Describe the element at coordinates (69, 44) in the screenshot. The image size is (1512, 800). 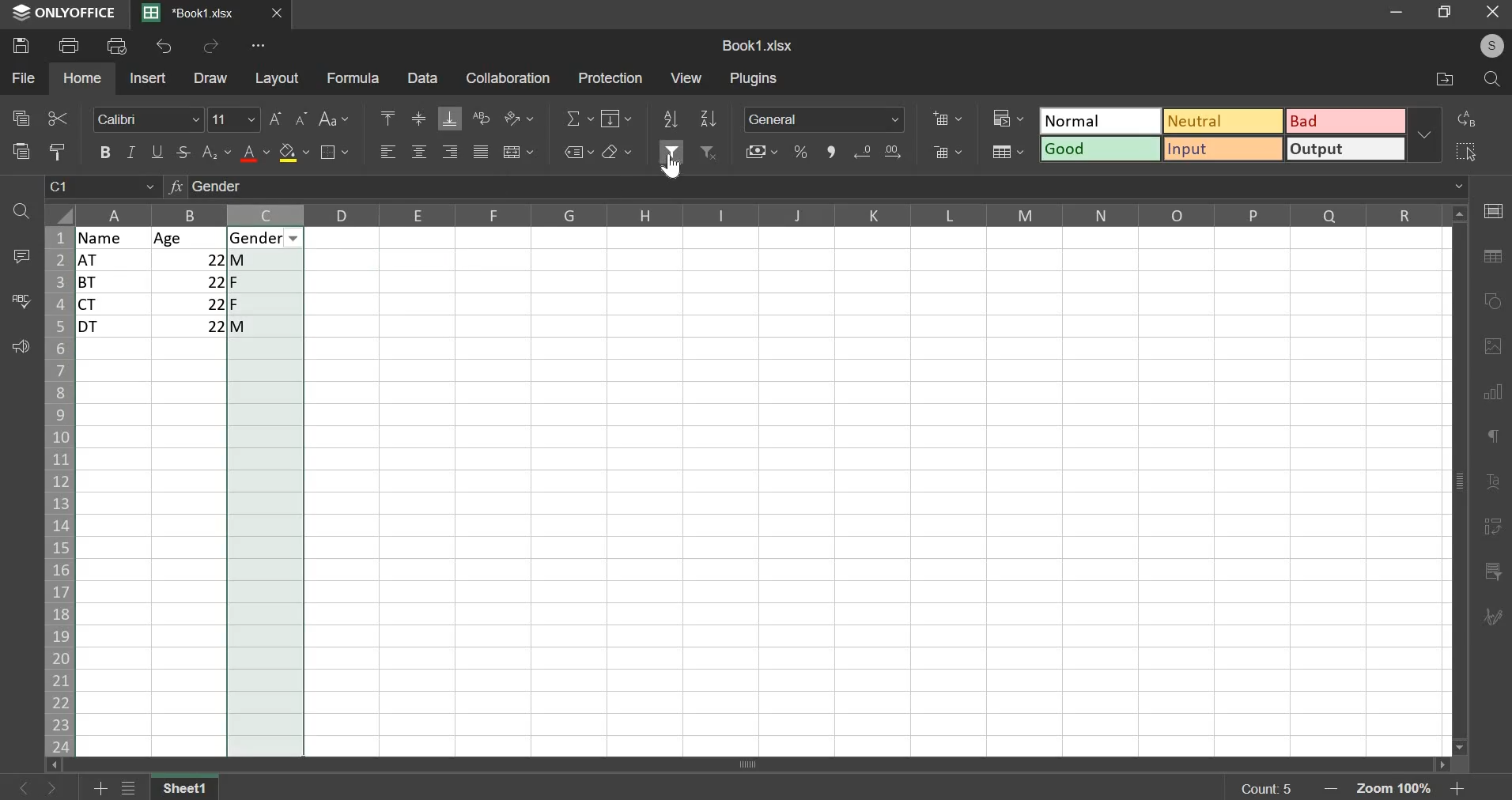
I see `print` at that location.